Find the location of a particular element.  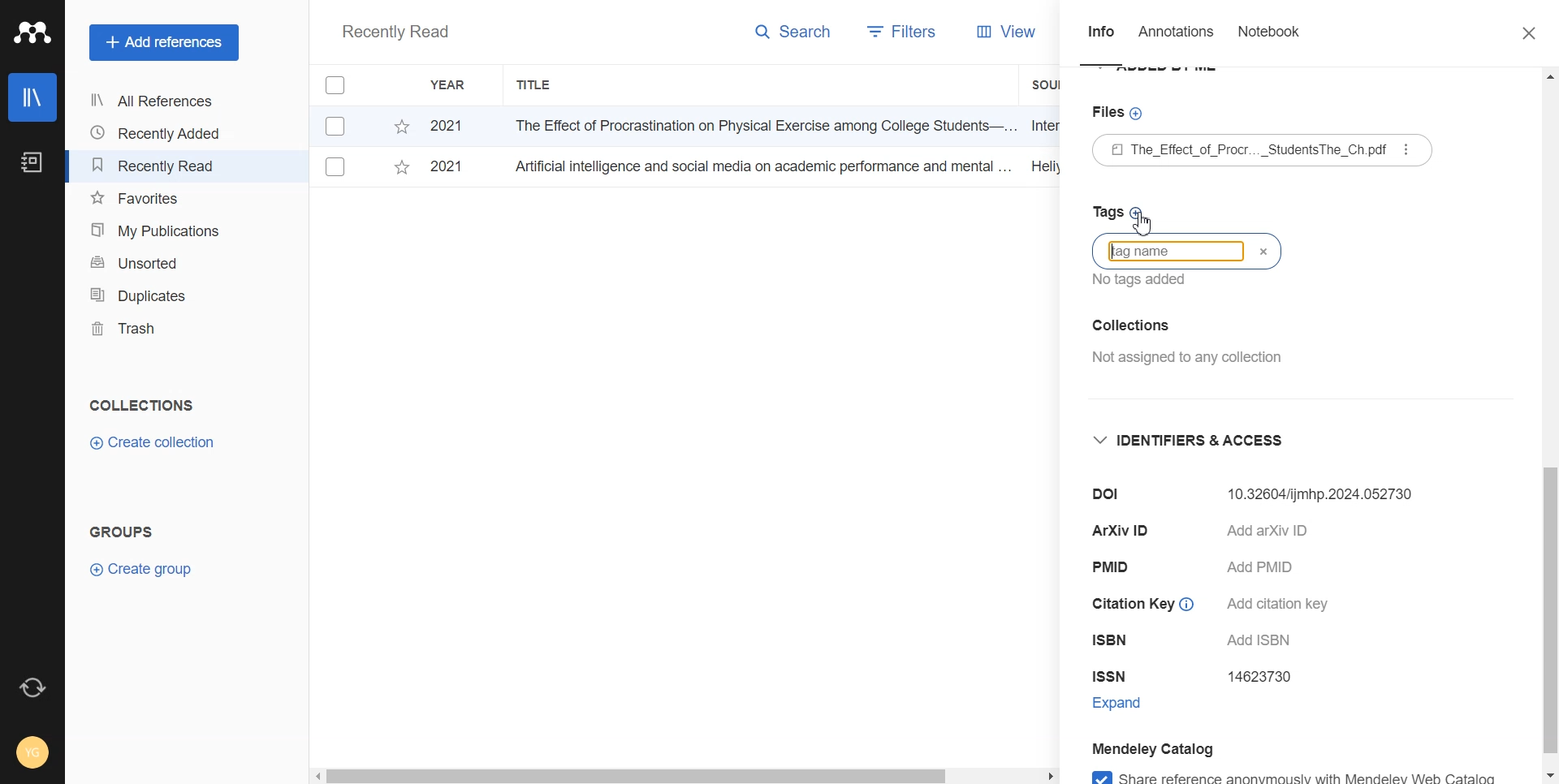

Favourites is located at coordinates (160, 199).